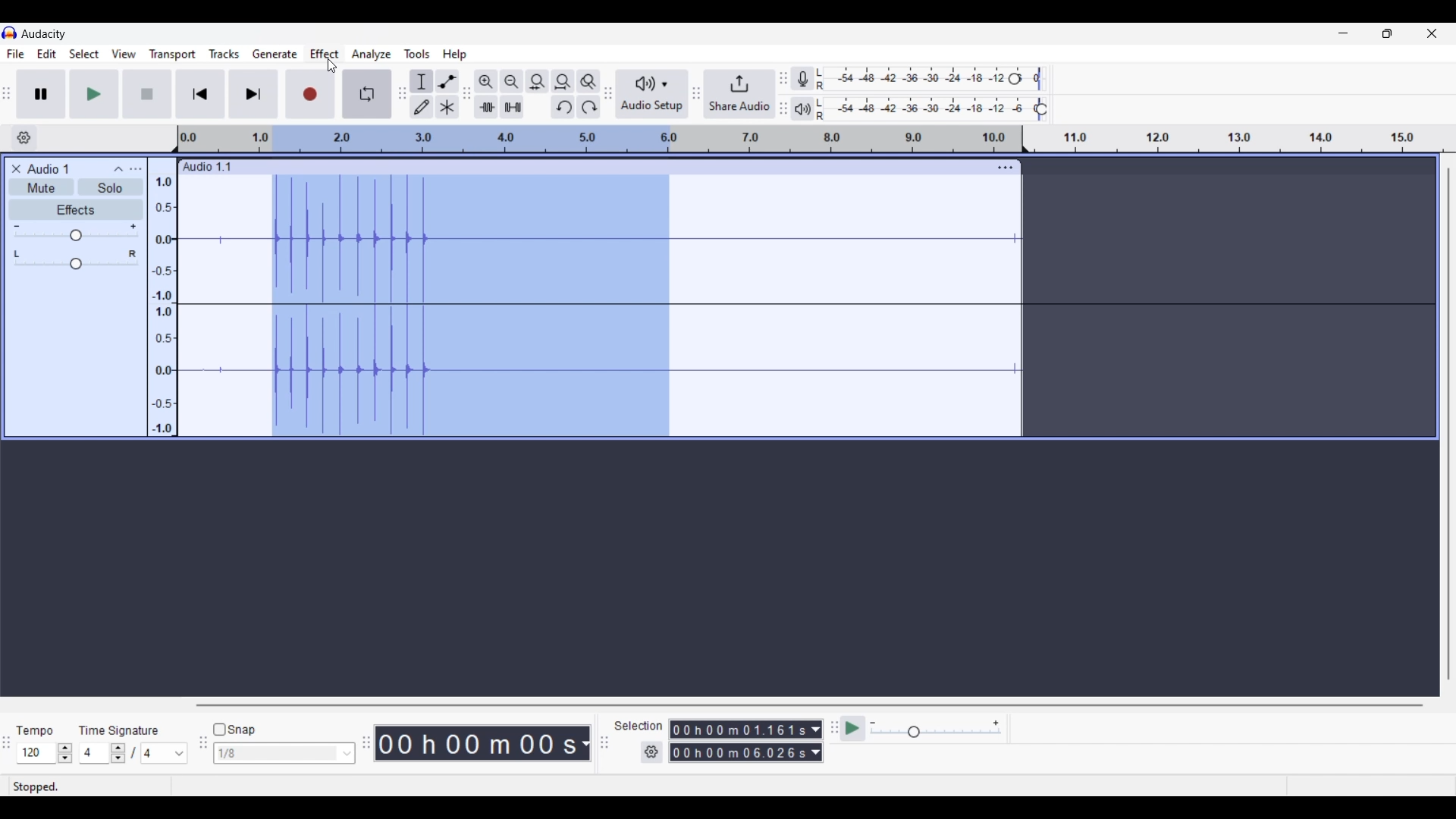 This screenshot has width=1456, height=819. Describe the element at coordinates (653, 94) in the screenshot. I see `Audio setup` at that location.